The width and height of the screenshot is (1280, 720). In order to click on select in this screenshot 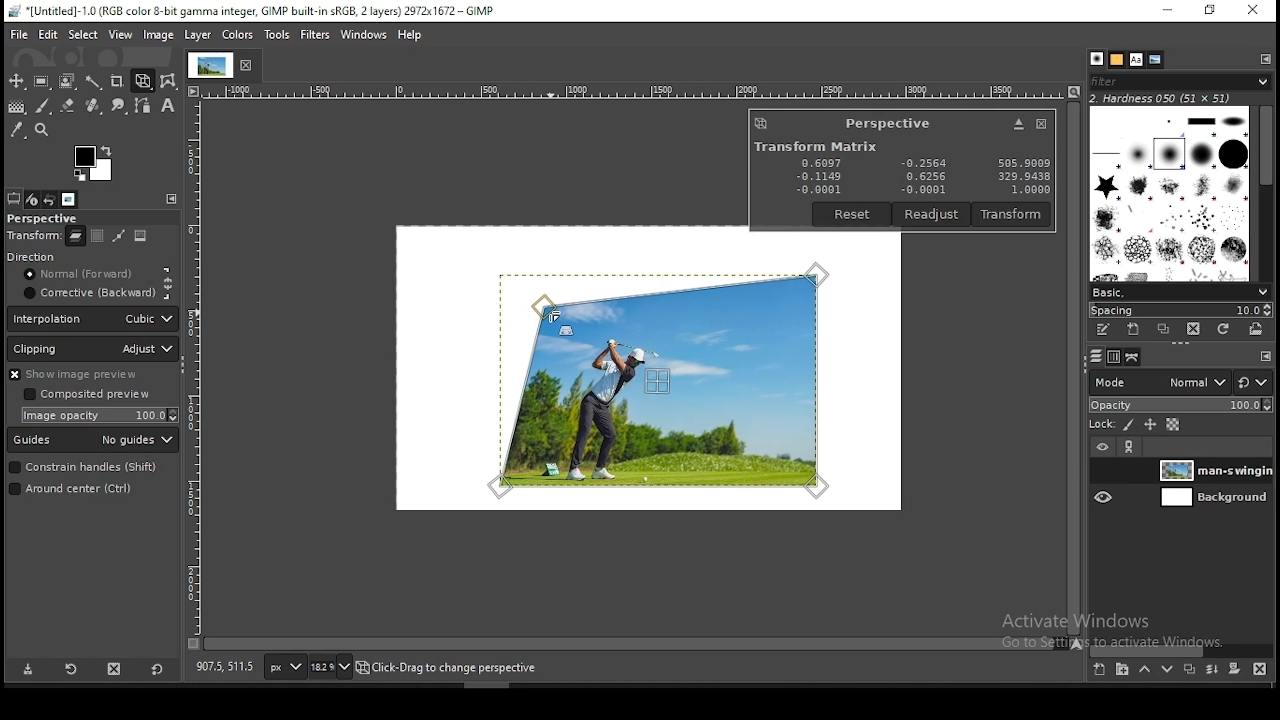, I will do `click(82, 35)`.